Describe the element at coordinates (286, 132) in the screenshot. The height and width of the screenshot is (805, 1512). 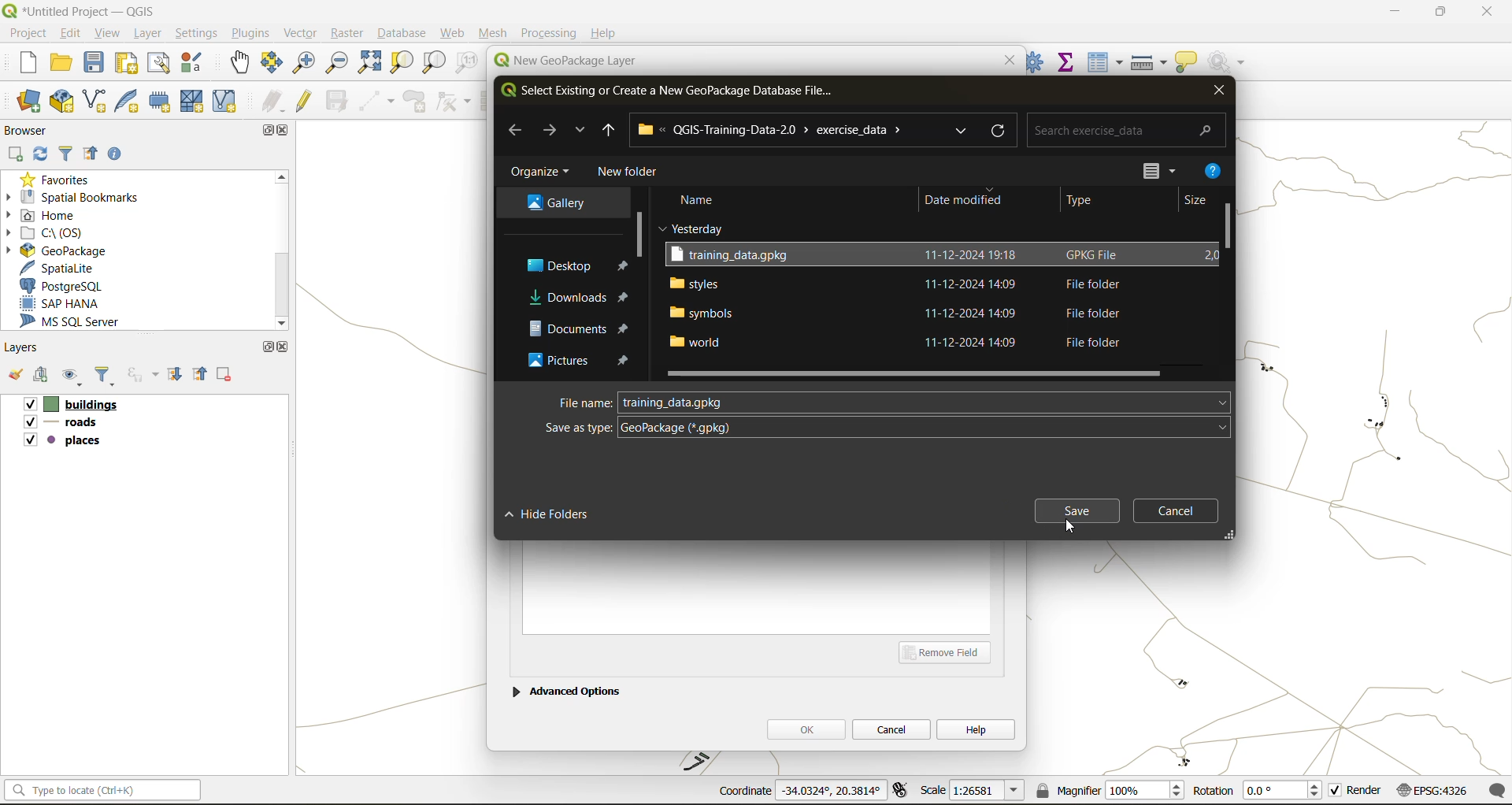
I see `close` at that location.